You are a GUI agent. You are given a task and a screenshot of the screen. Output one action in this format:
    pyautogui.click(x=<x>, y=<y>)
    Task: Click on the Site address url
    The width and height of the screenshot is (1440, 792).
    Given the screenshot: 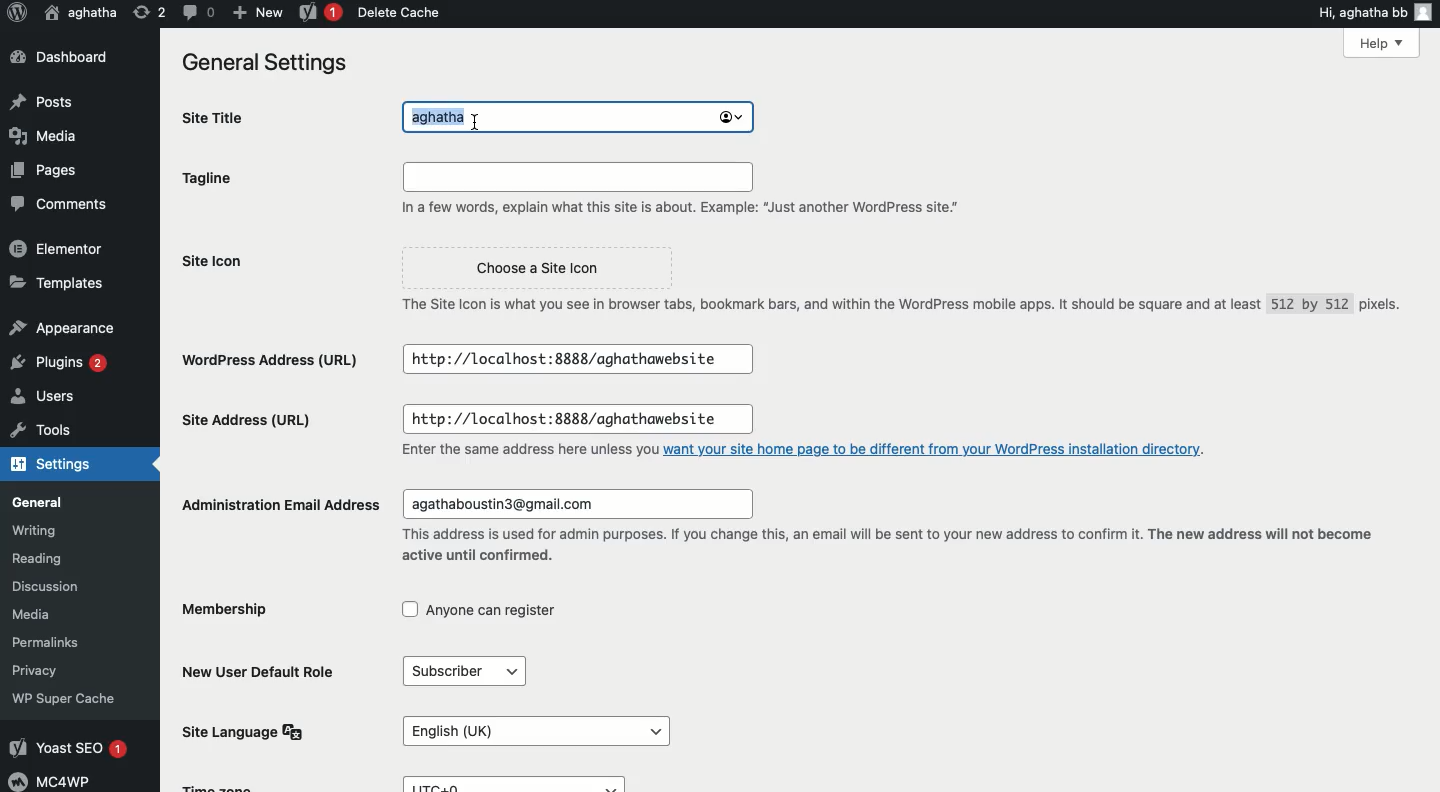 What is the action you would take?
    pyautogui.click(x=251, y=423)
    